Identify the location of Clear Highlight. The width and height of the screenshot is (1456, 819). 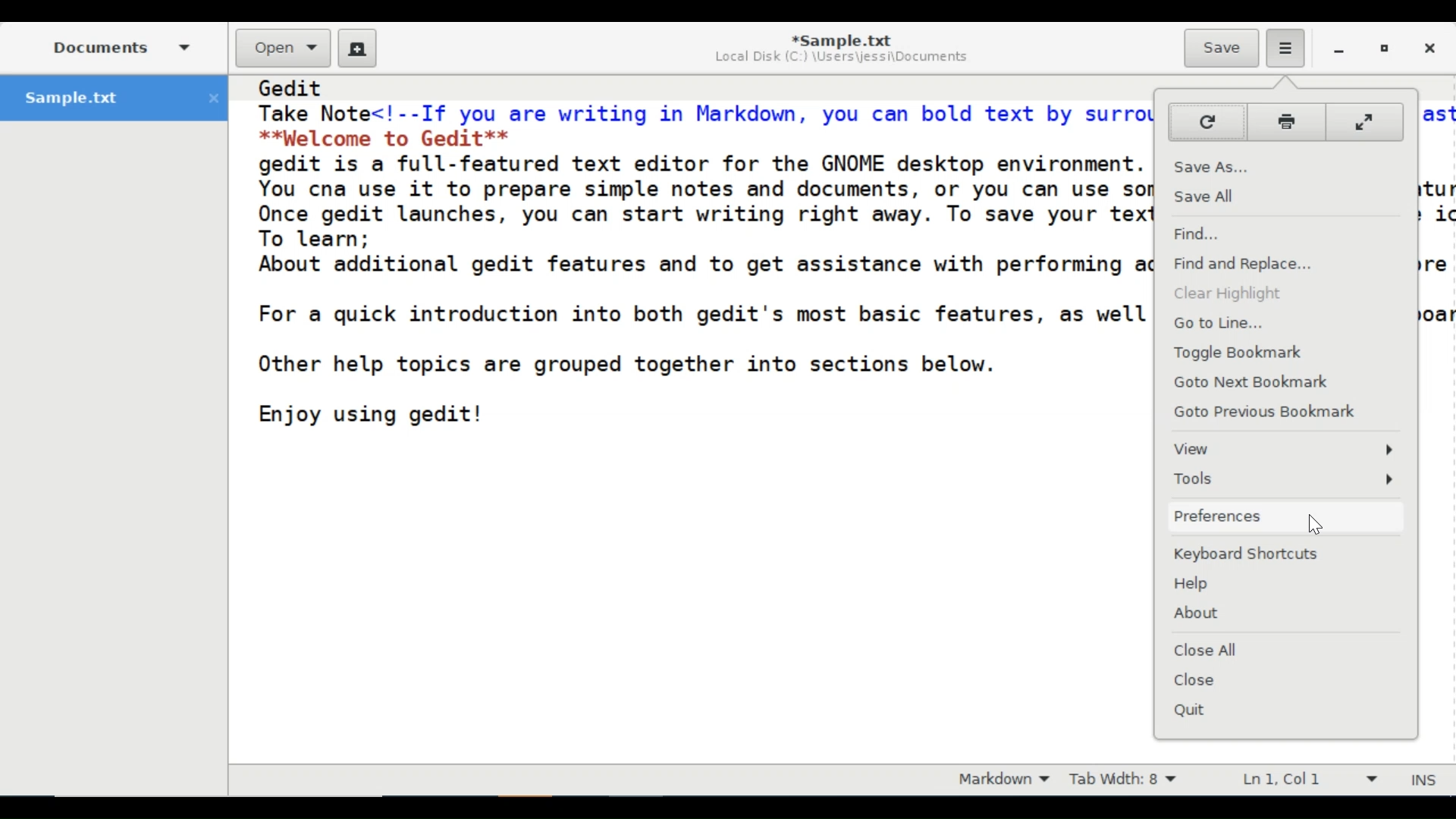
(1230, 294).